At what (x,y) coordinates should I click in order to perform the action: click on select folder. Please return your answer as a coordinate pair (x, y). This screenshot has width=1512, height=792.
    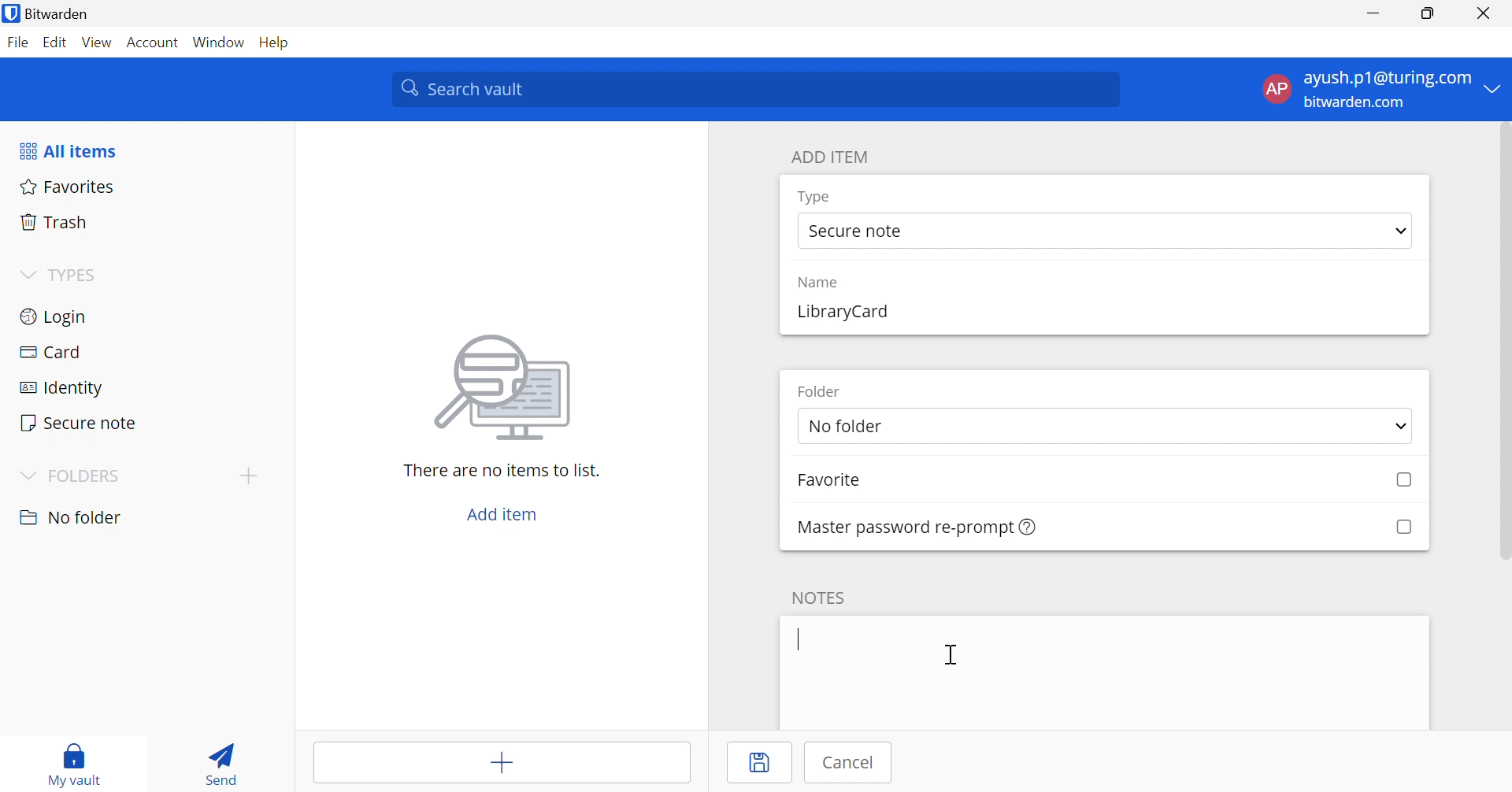
    Looking at the image, I should click on (1105, 426).